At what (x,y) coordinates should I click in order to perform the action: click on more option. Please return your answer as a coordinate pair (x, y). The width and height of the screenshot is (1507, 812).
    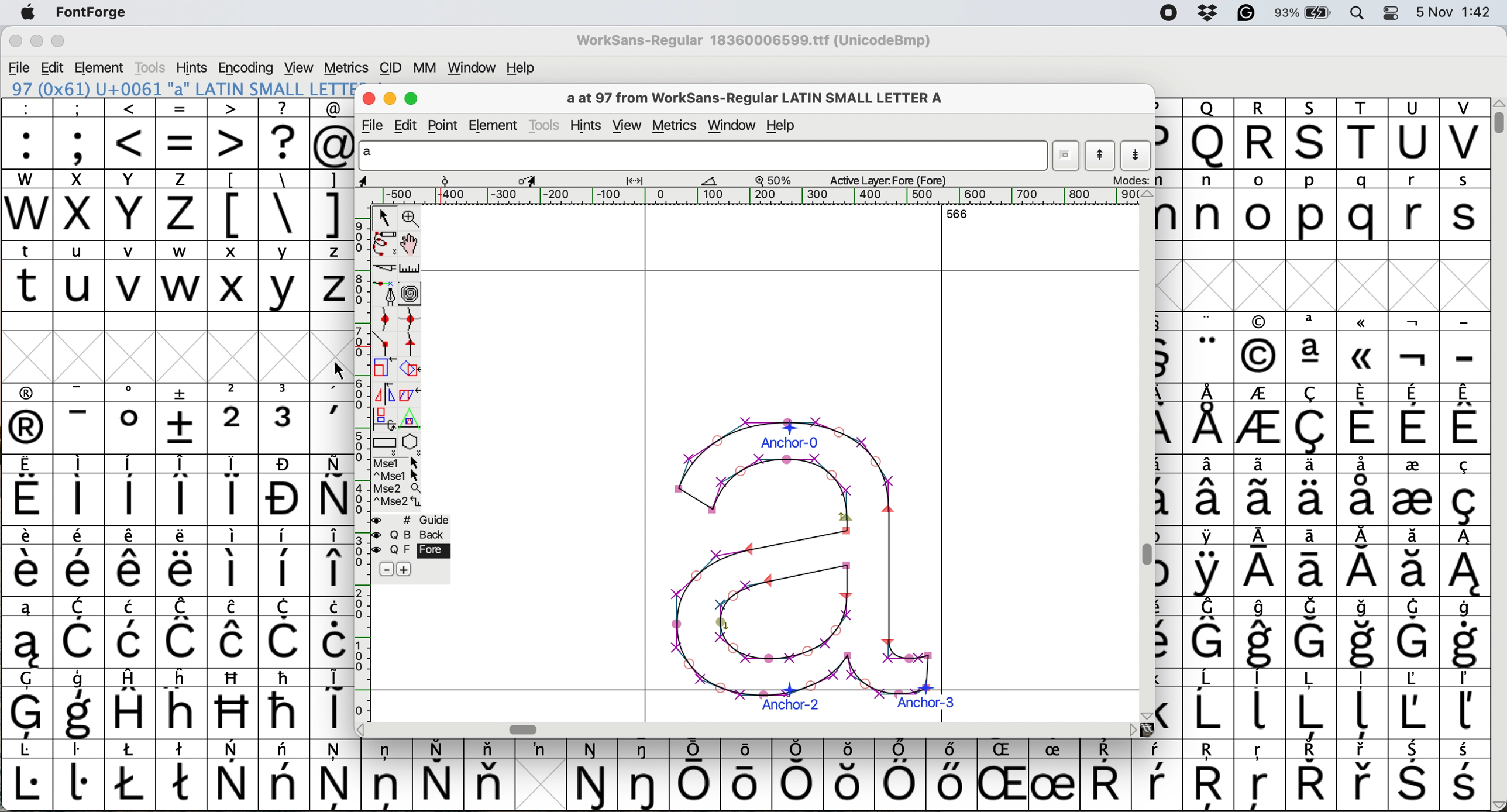
    Looking at the image, I should click on (397, 483).